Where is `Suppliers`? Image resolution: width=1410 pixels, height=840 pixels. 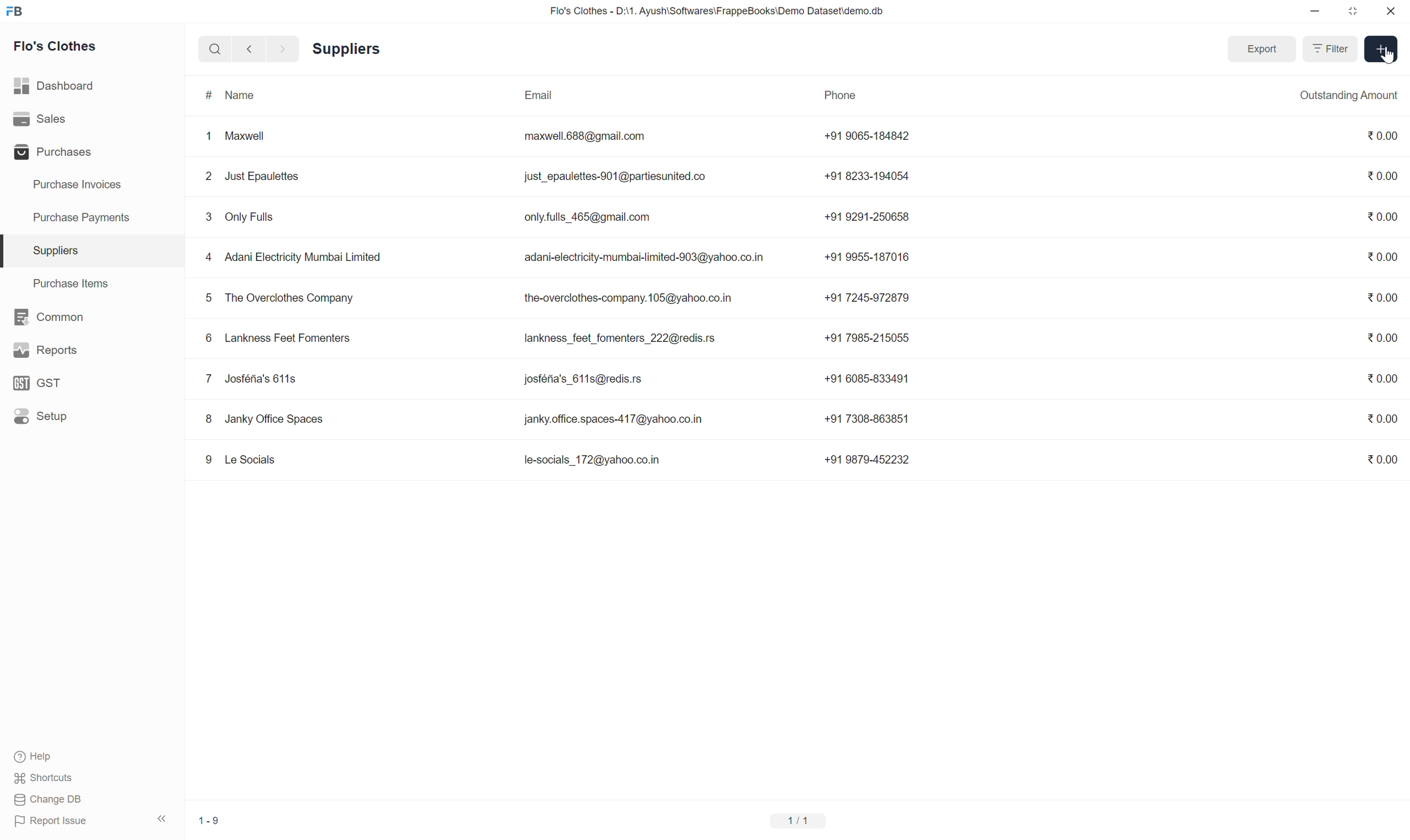
Suppliers is located at coordinates (92, 251).